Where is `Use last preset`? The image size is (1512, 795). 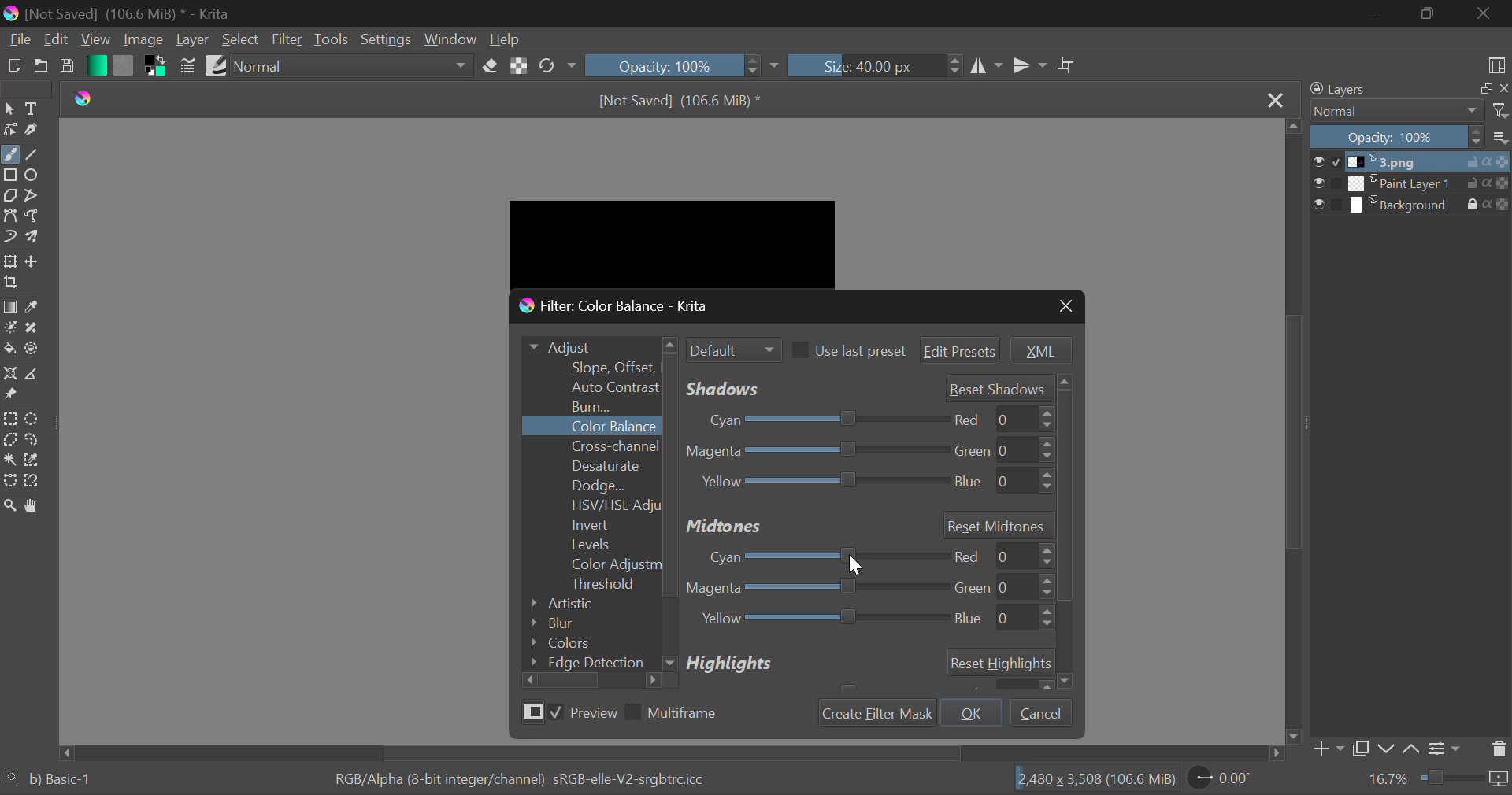 Use last preset is located at coordinates (847, 350).